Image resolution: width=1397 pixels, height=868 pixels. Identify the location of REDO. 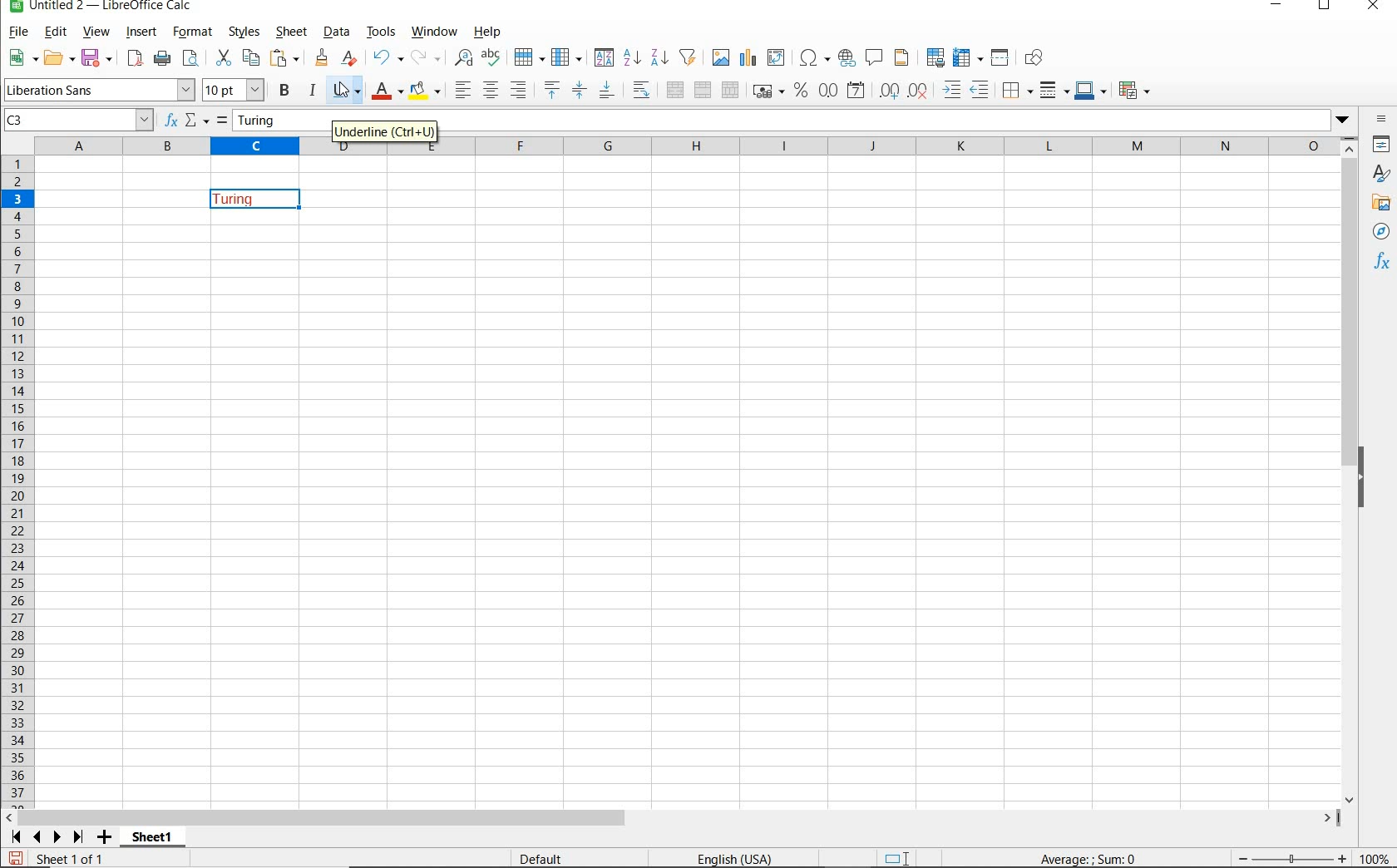
(388, 60).